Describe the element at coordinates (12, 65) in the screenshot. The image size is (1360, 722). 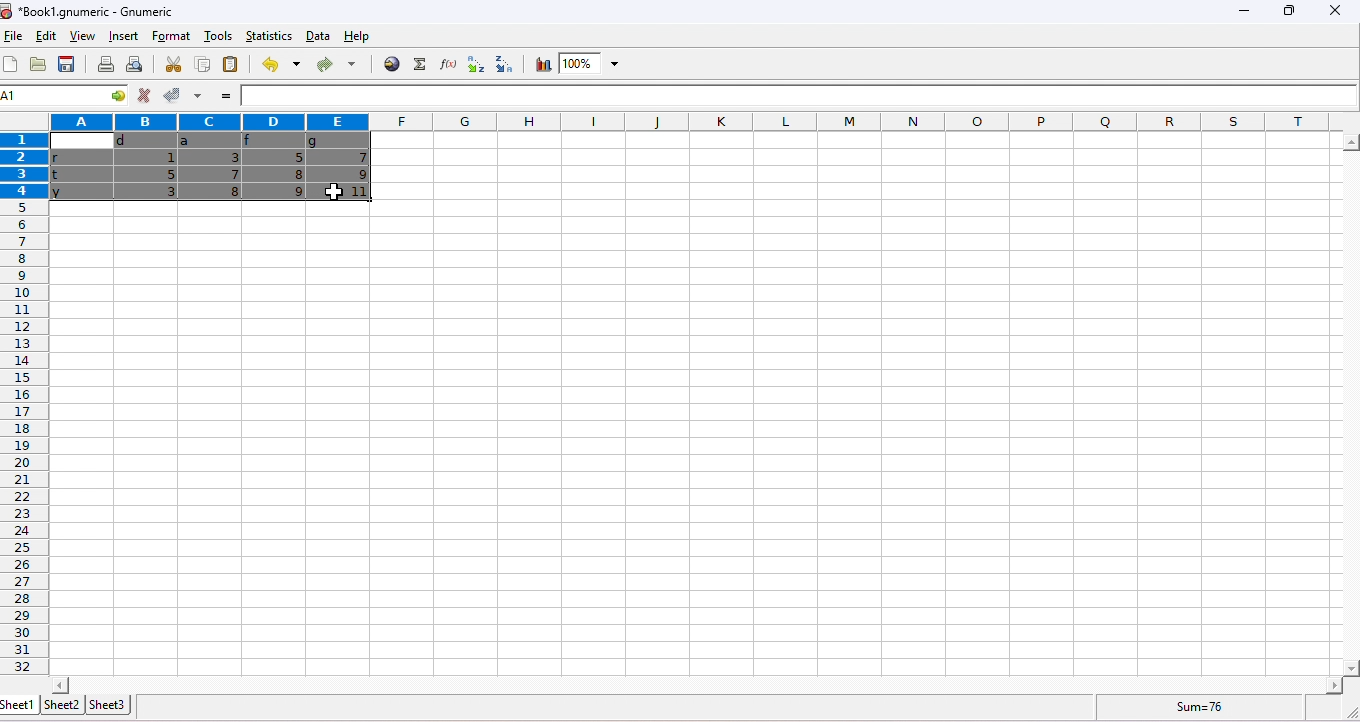
I see `new` at that location.